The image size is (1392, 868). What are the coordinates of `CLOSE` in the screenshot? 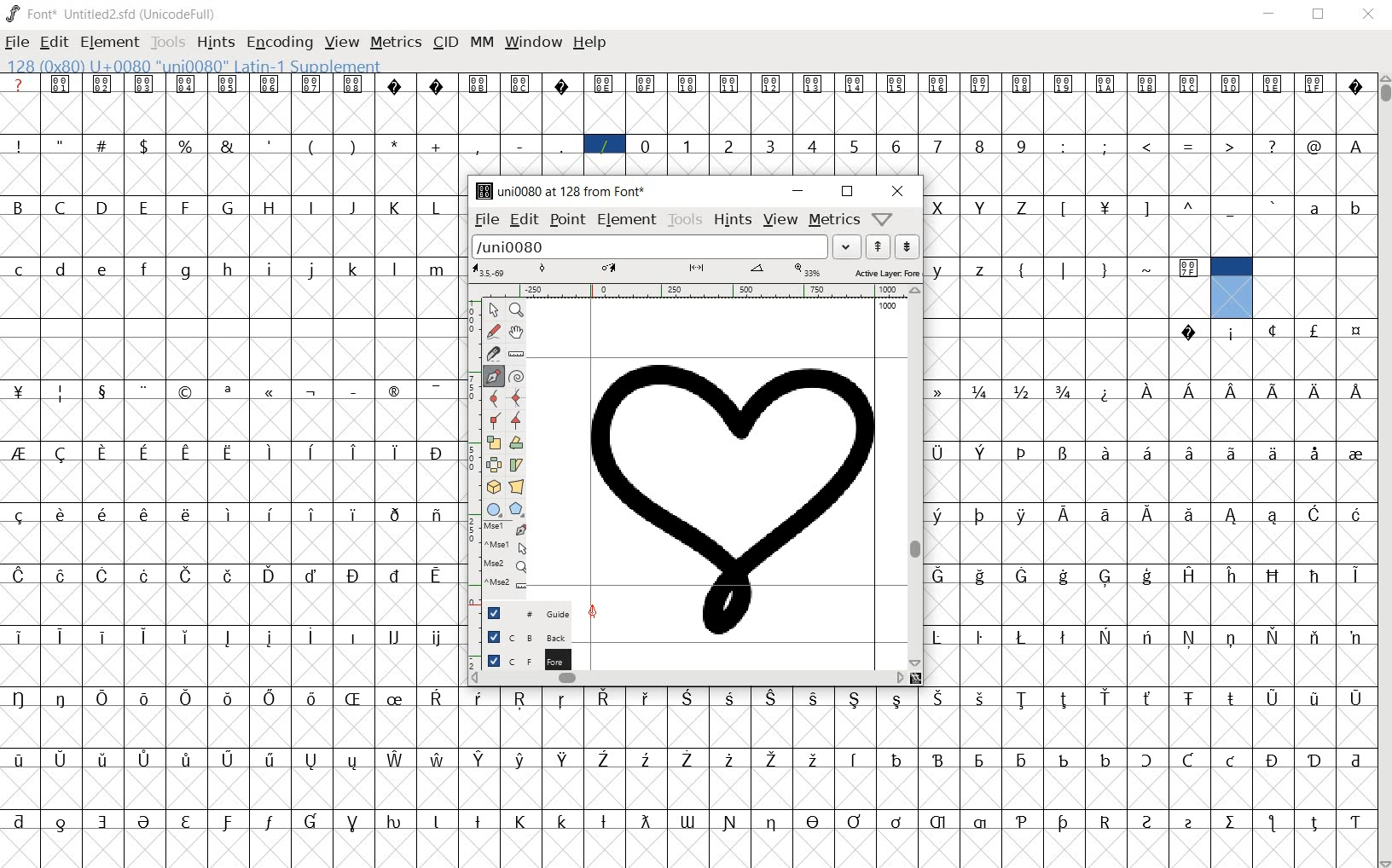 It's located at (1368, 15).